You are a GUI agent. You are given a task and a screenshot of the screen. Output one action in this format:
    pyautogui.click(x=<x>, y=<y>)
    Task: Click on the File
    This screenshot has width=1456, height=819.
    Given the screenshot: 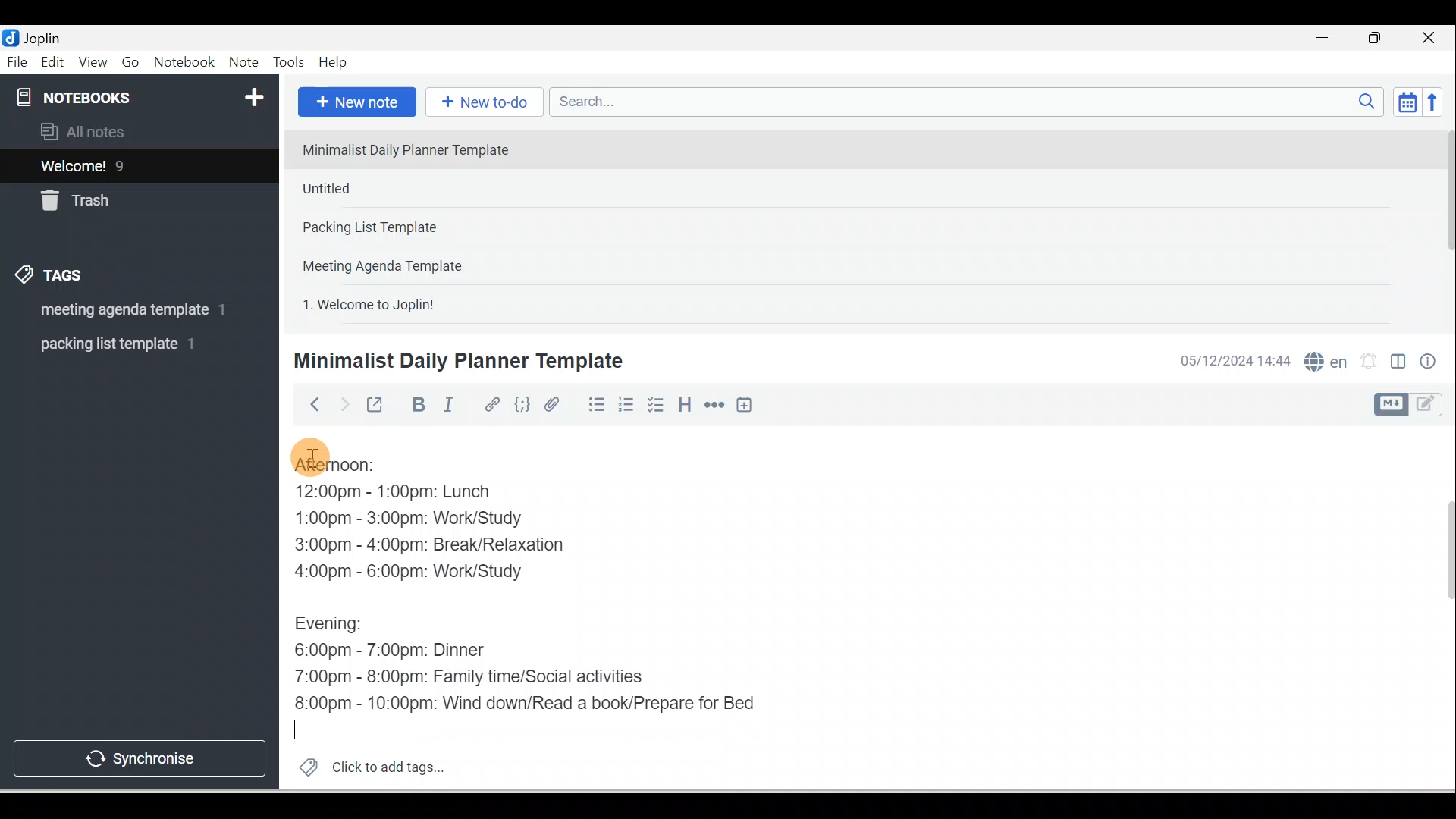 What is the action you would take?
    pyautogui.click(x=18, y=61)
    